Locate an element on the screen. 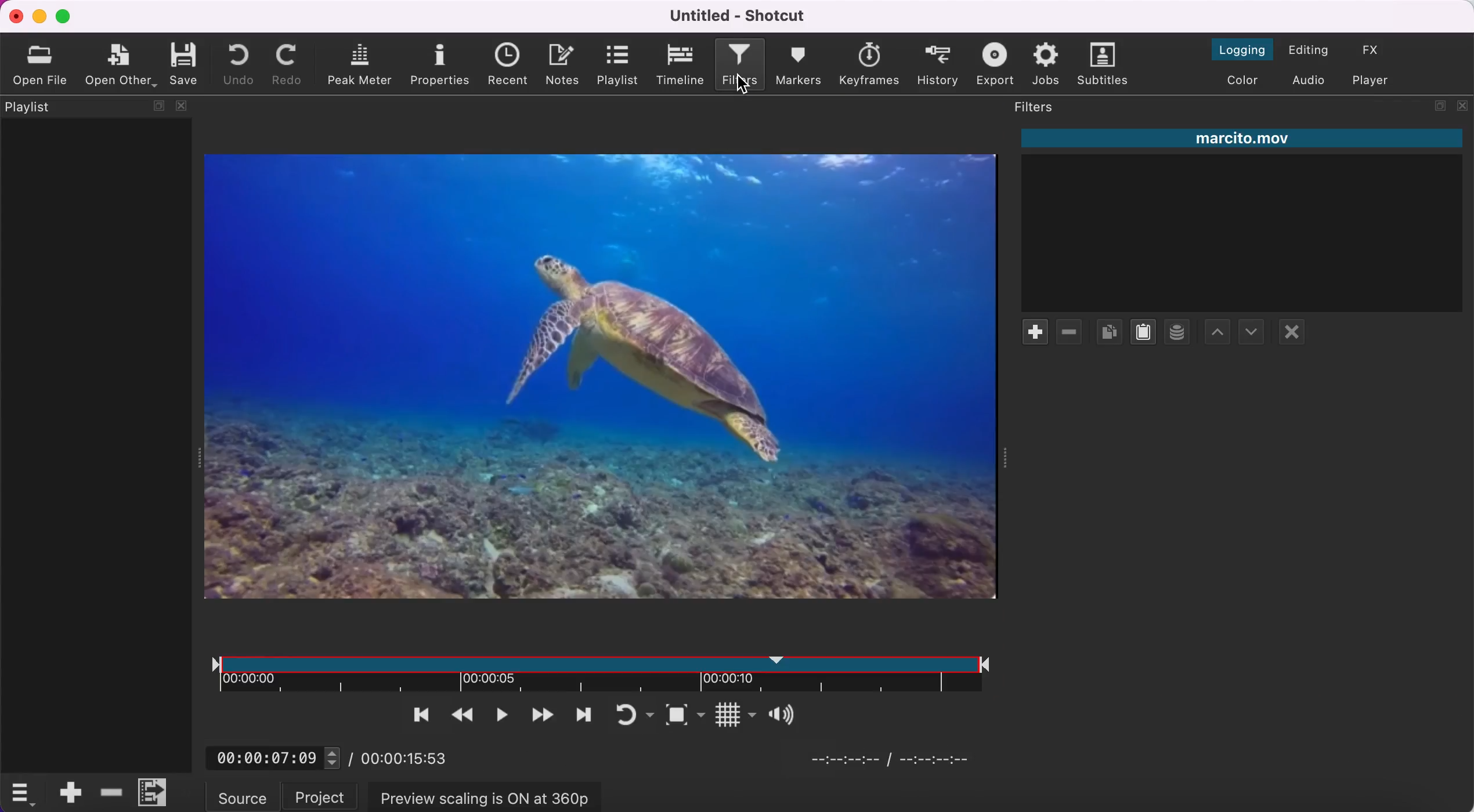  clip is located at coordinates (599, 375).